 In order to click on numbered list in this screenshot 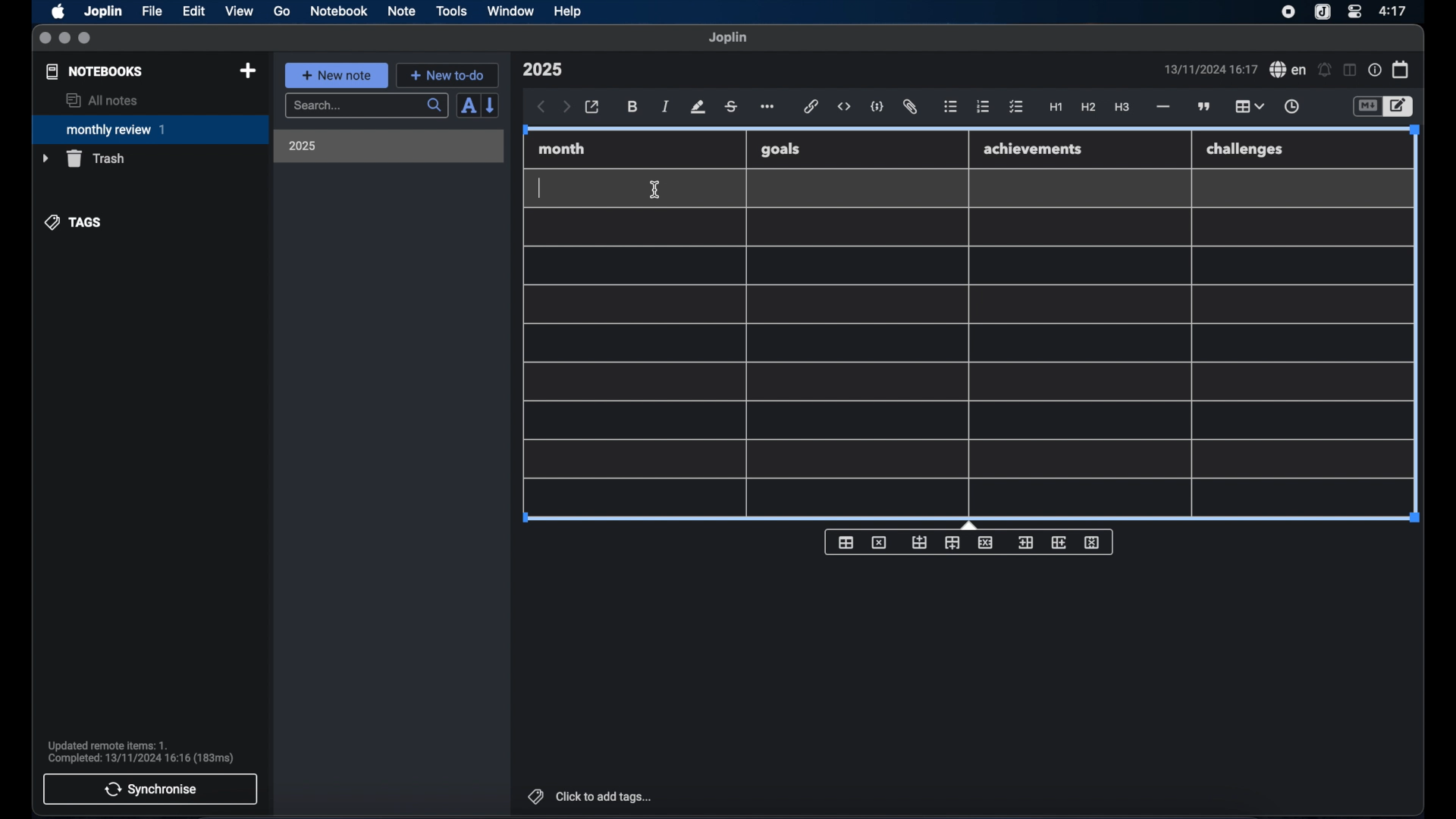, I will do `click(983, 106)`.